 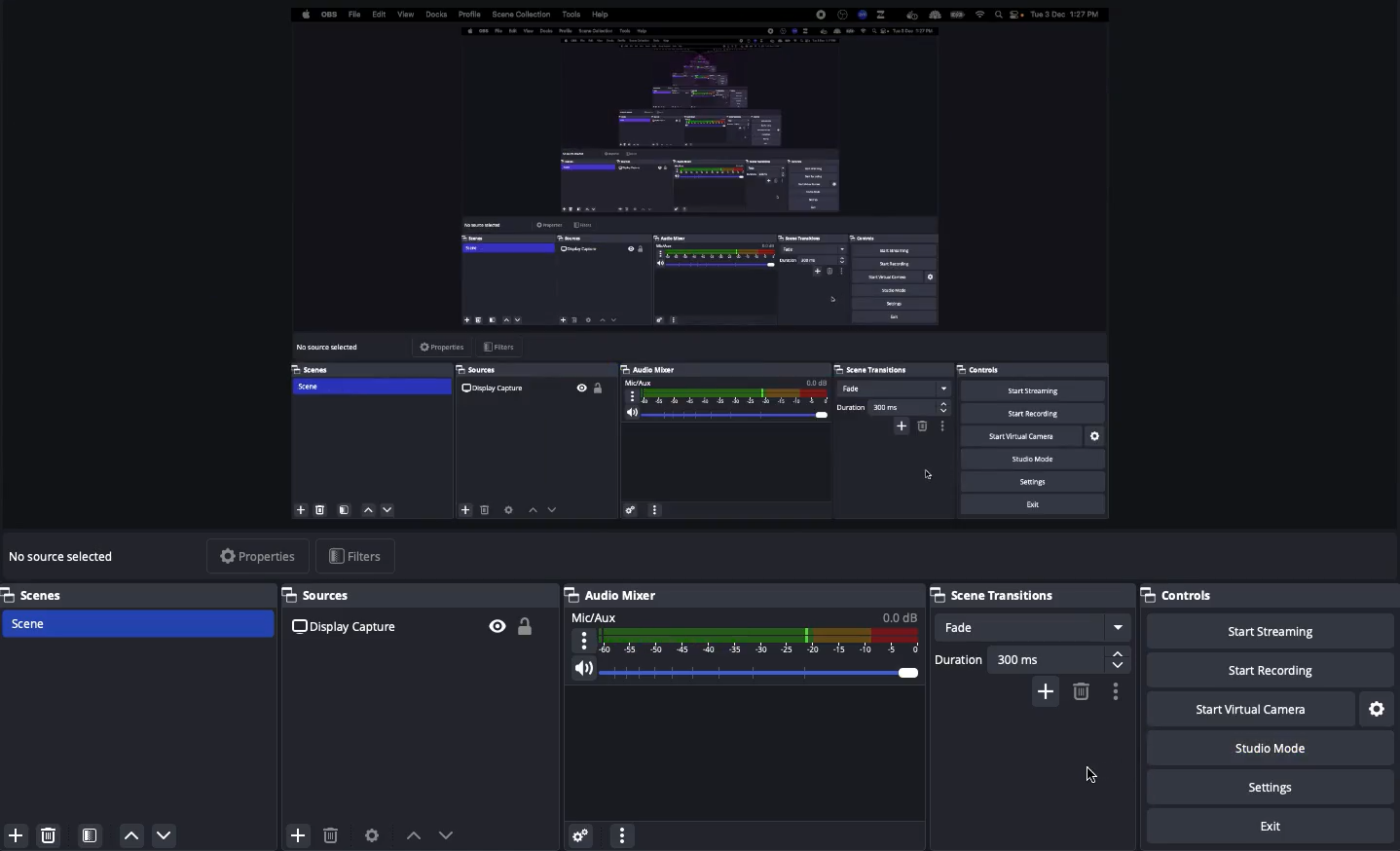 I want to click on Start recording, so click(x=1269, y=669).